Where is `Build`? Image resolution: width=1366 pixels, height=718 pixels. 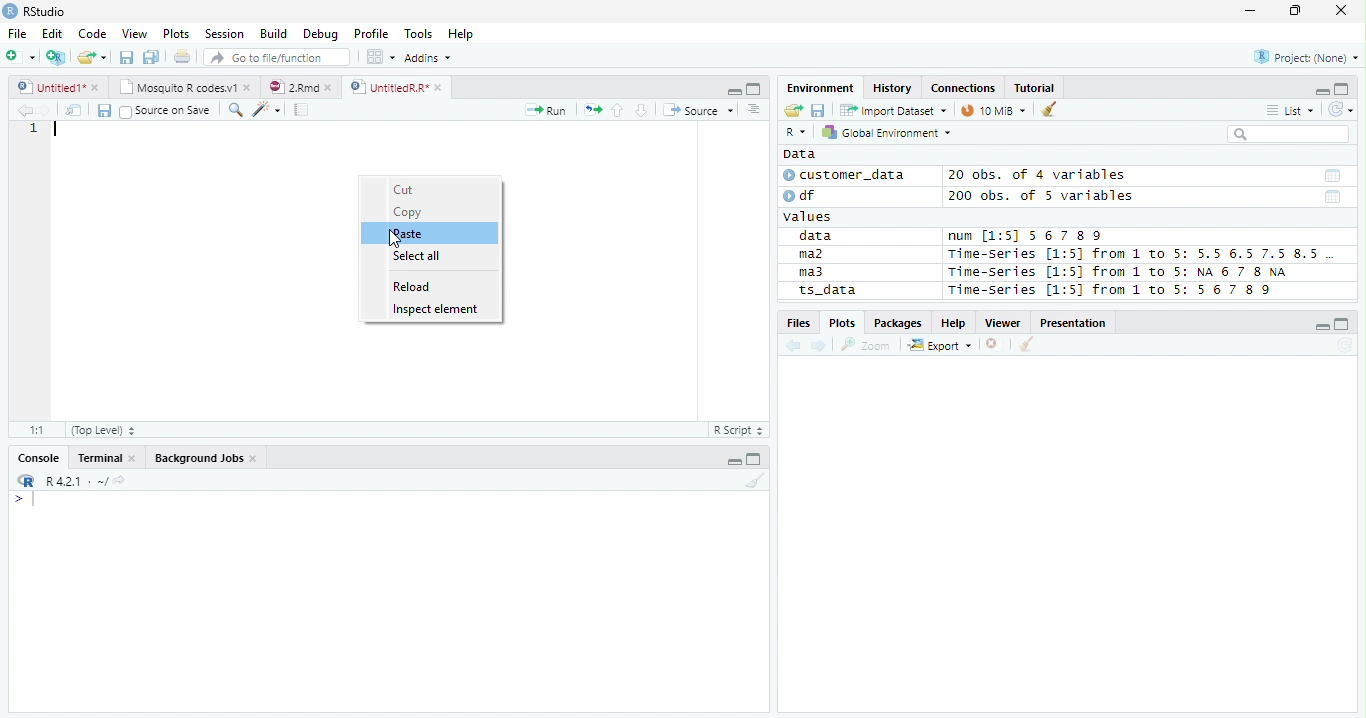
Build is located at coordinates (276, 35).